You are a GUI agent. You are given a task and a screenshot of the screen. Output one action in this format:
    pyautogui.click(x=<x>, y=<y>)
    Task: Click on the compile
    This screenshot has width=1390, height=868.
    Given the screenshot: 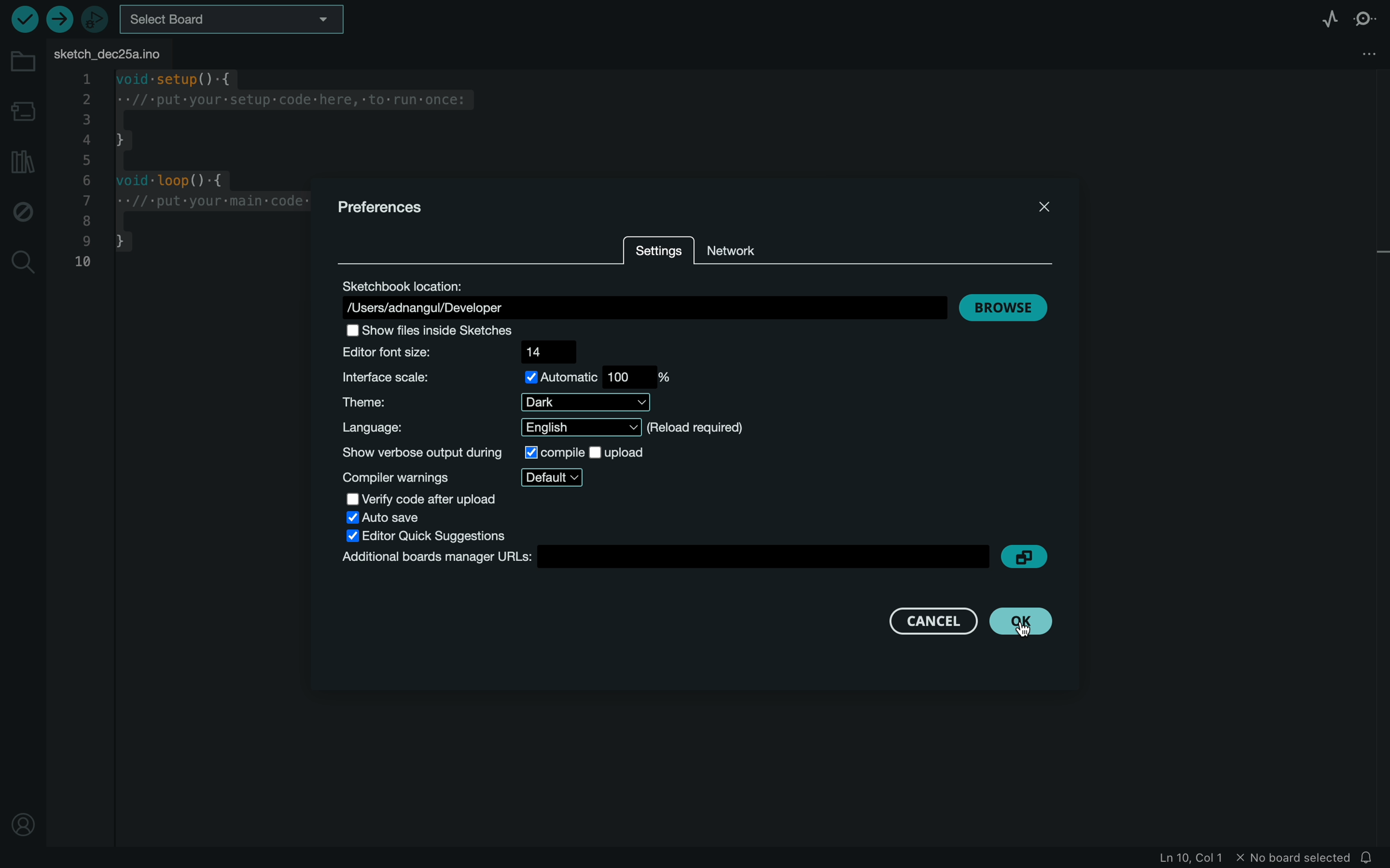 What is the action you would take?
    pyautogui.click(x=551, y=451)
    